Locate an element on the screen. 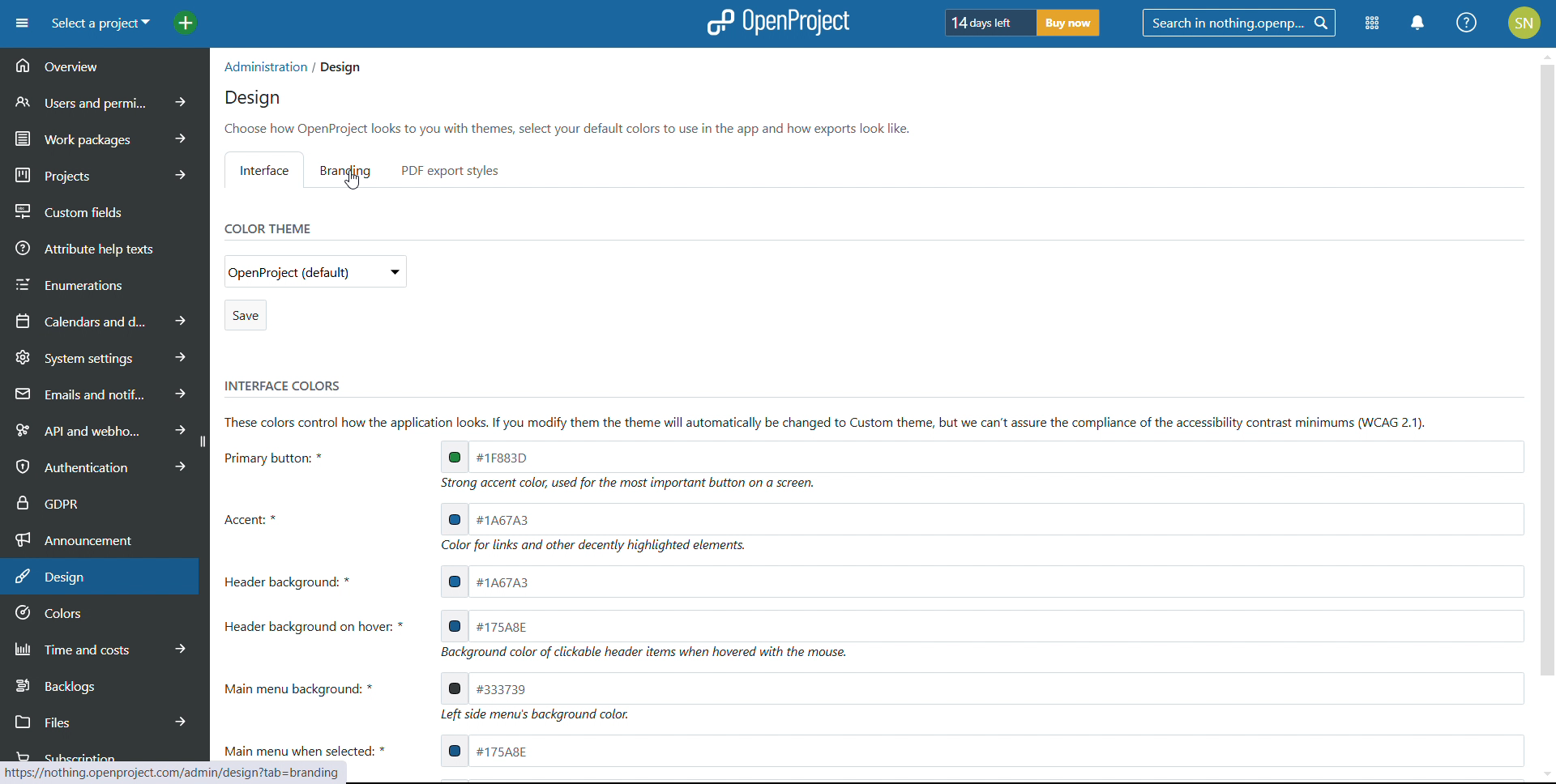 The height and width of the screenshot is (784, 1556). SN is located at coordinates (1527, 21).